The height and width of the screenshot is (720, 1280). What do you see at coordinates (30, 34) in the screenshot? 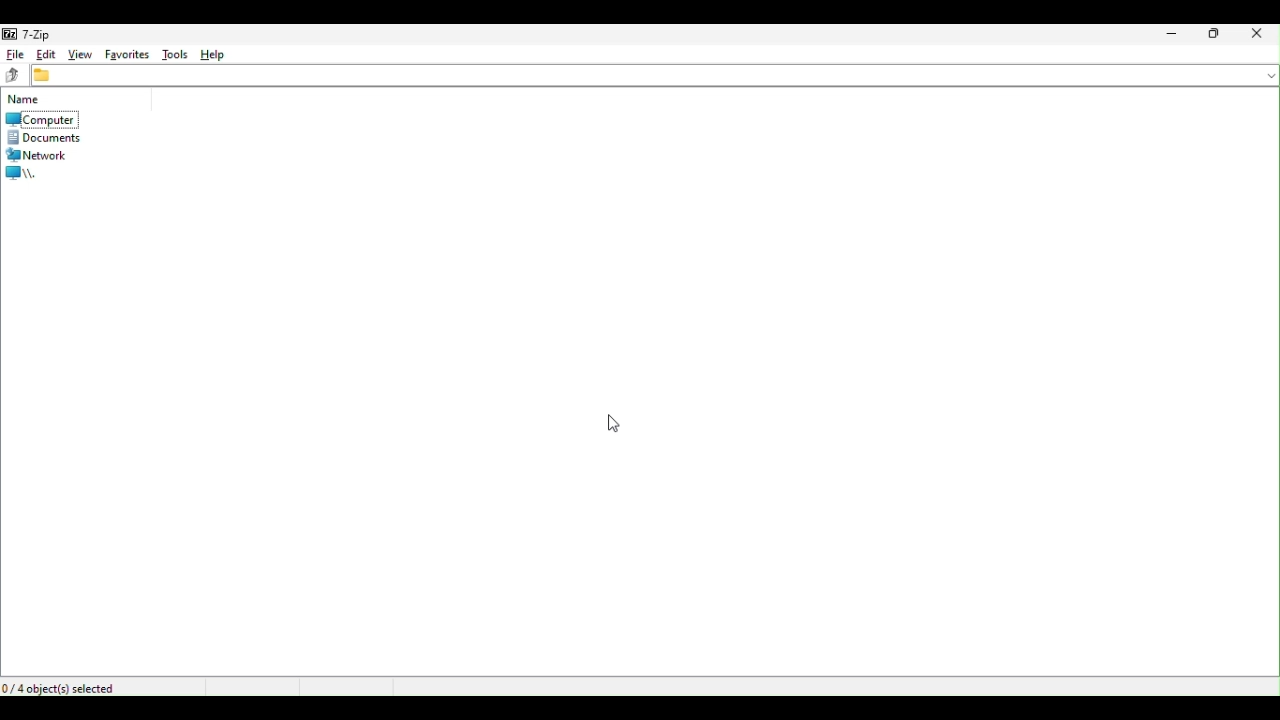
I see `7 zip ` at bounding box center [30, 34].